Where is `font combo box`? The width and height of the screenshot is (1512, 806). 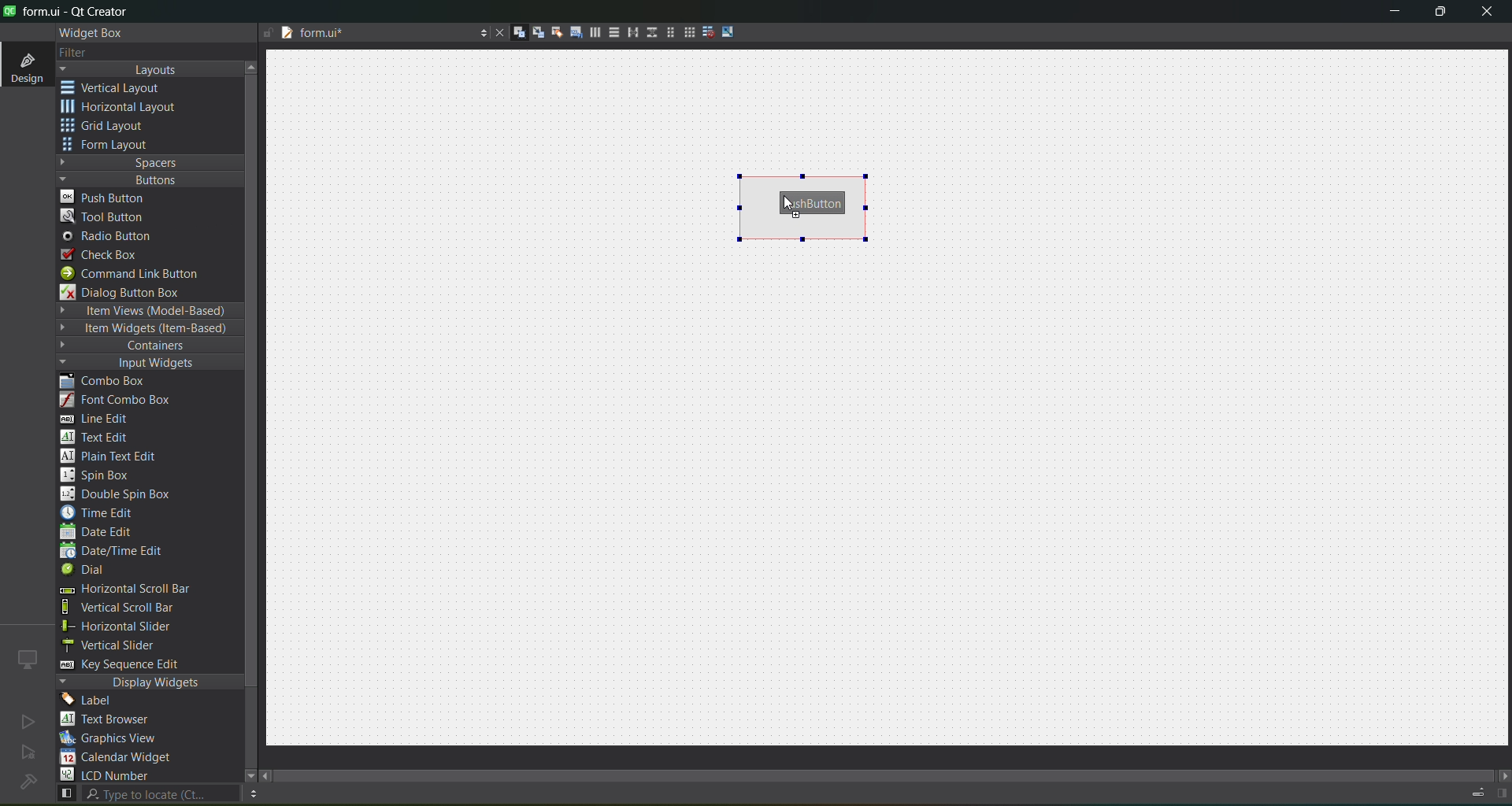
font combo box is located at coordinates (121, 401).